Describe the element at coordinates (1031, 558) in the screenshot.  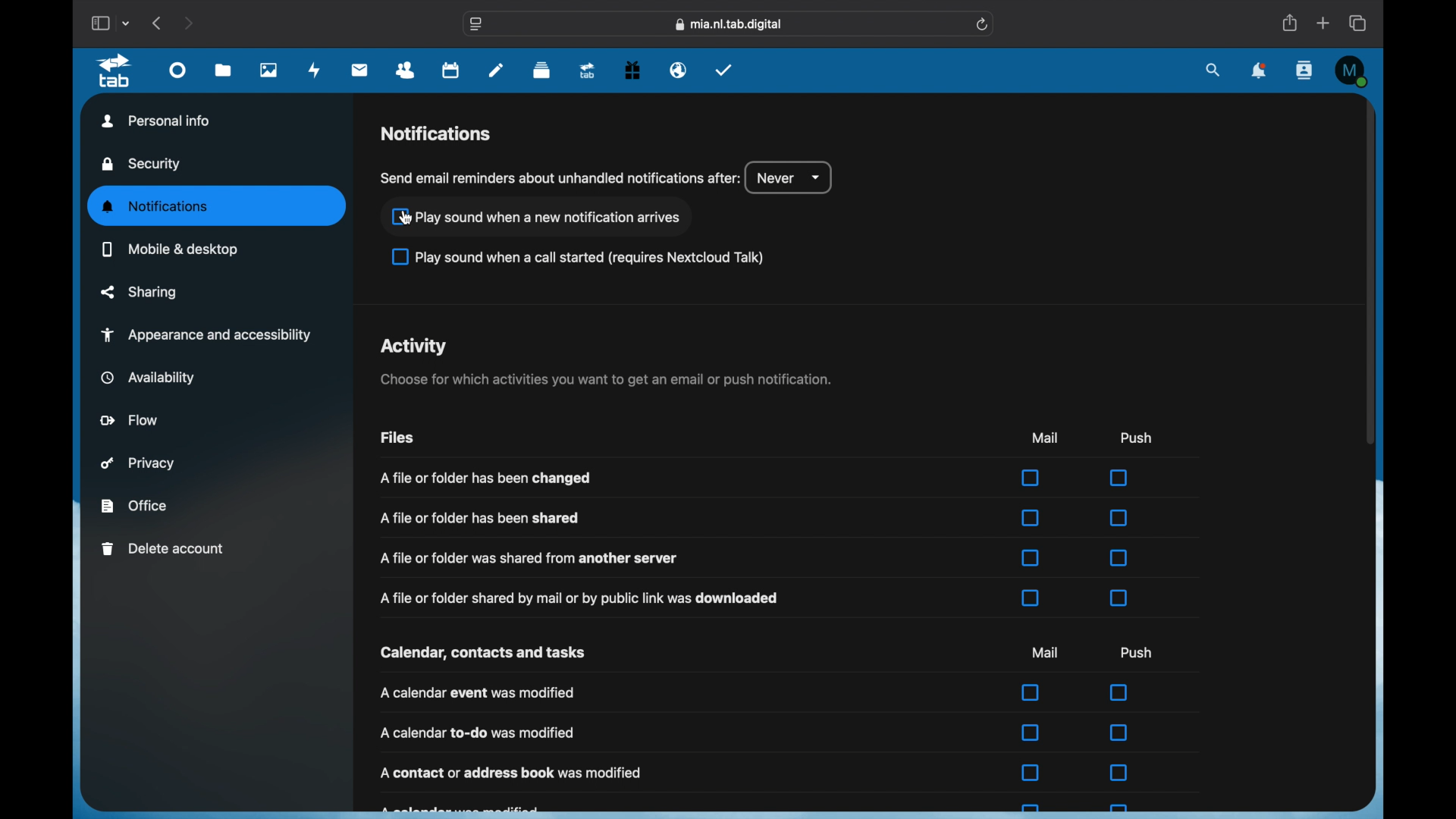
I see `checkbox` at that location.